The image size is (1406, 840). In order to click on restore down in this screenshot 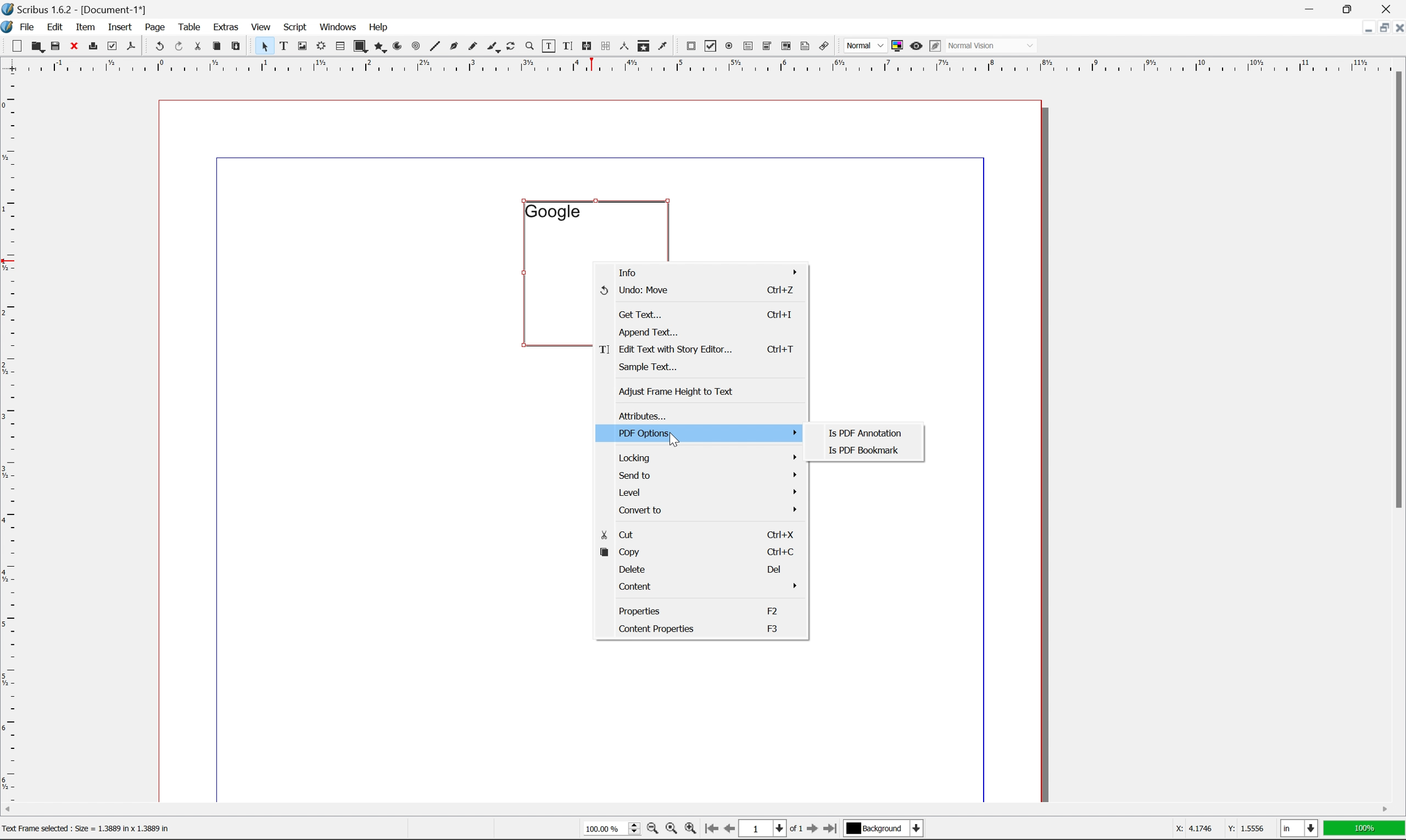, I will do `click(1379, 28)`.